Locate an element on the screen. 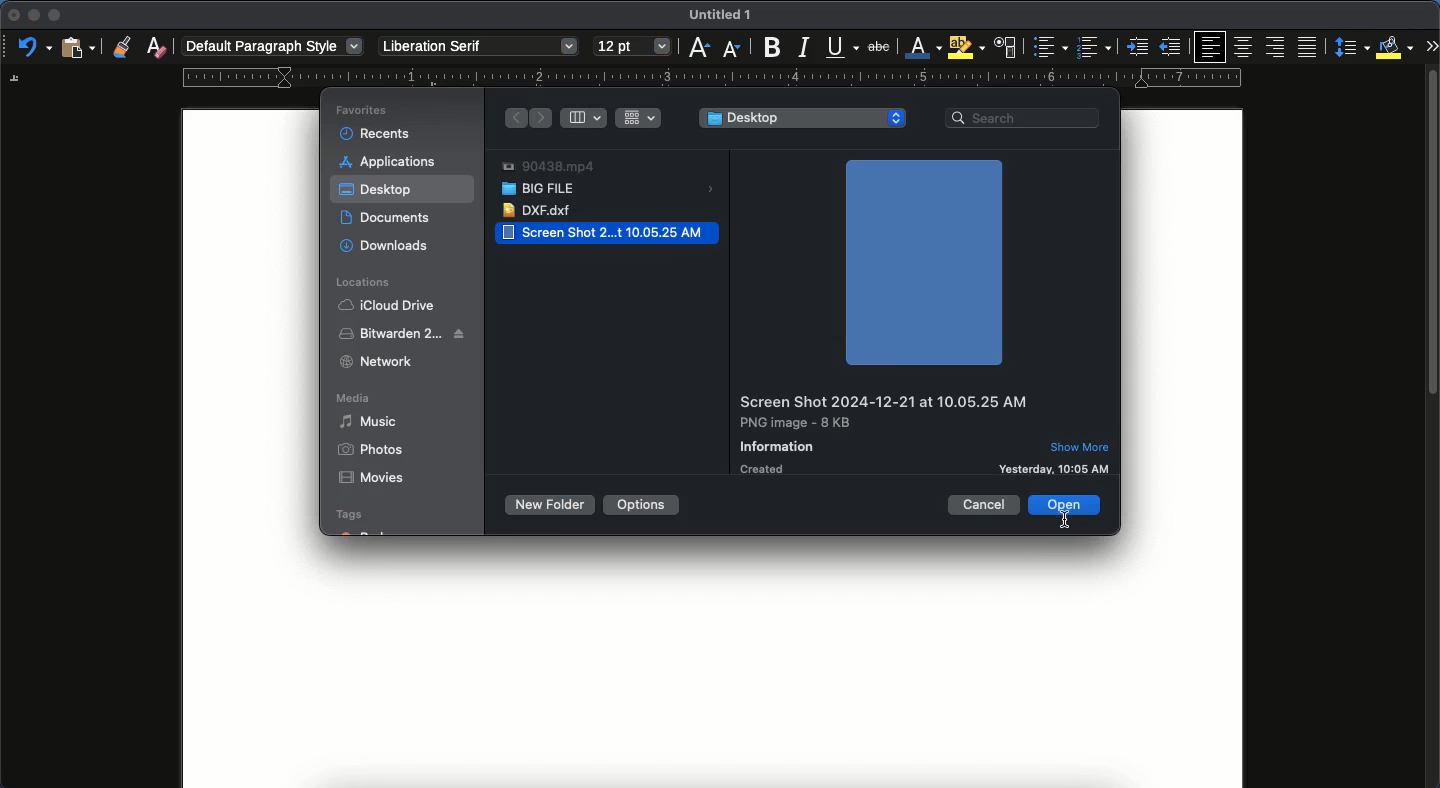 This screenshot has width=1440, height=788. highlight color is located at coordinates (964, 47).